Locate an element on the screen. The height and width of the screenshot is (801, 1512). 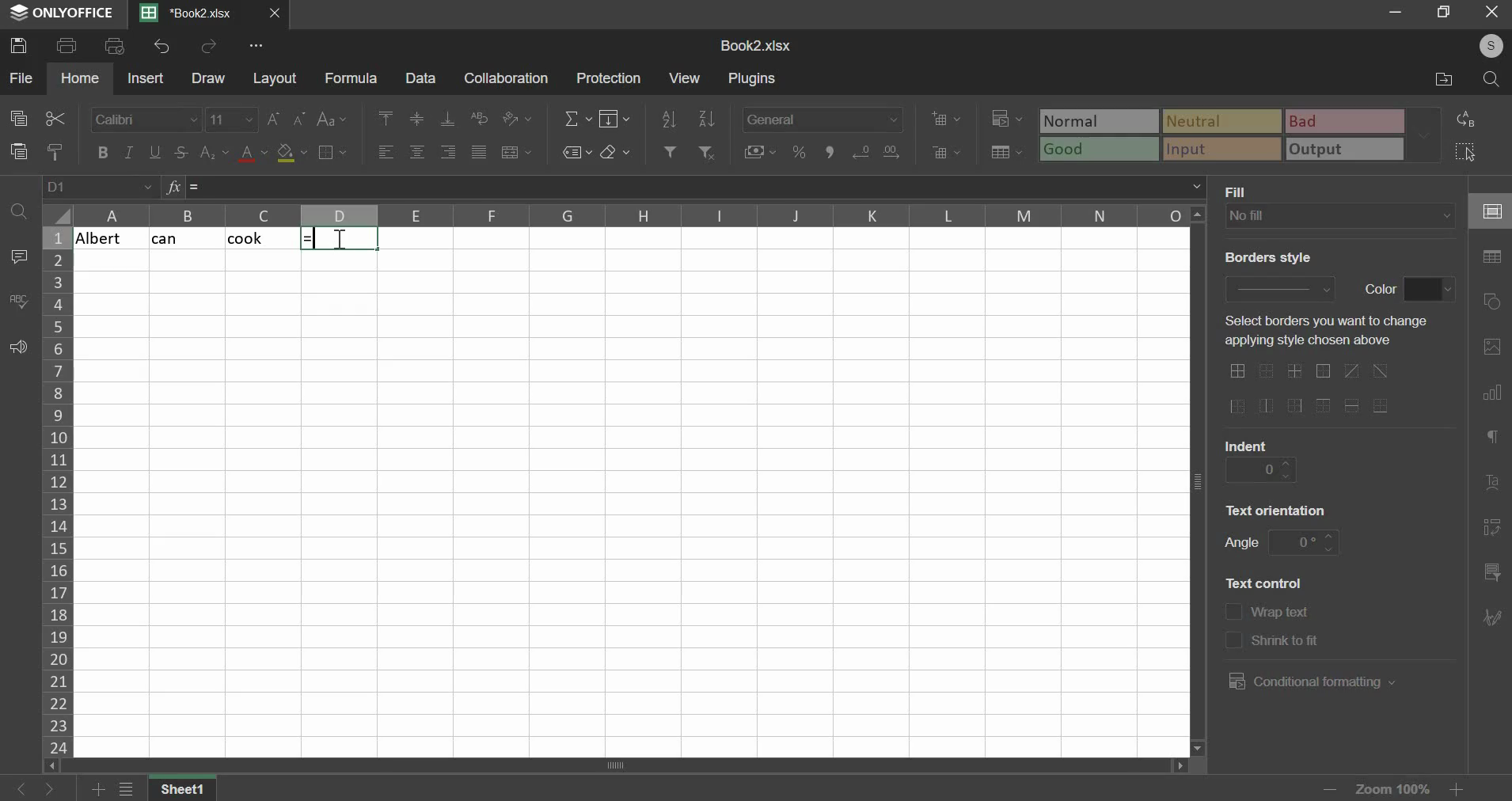
home is located at coordinates (81, 78).